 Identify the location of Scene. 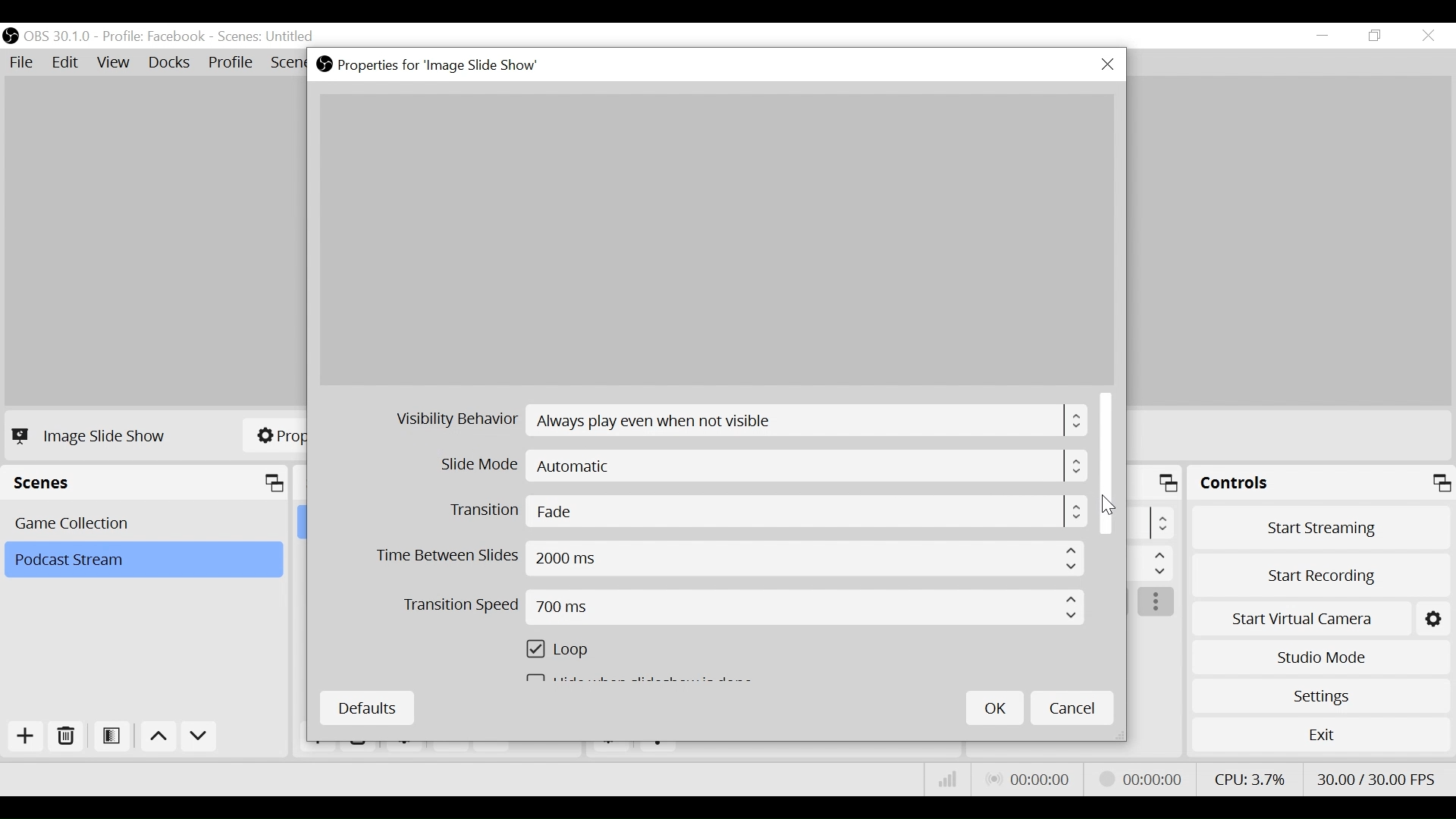
(146, 522).